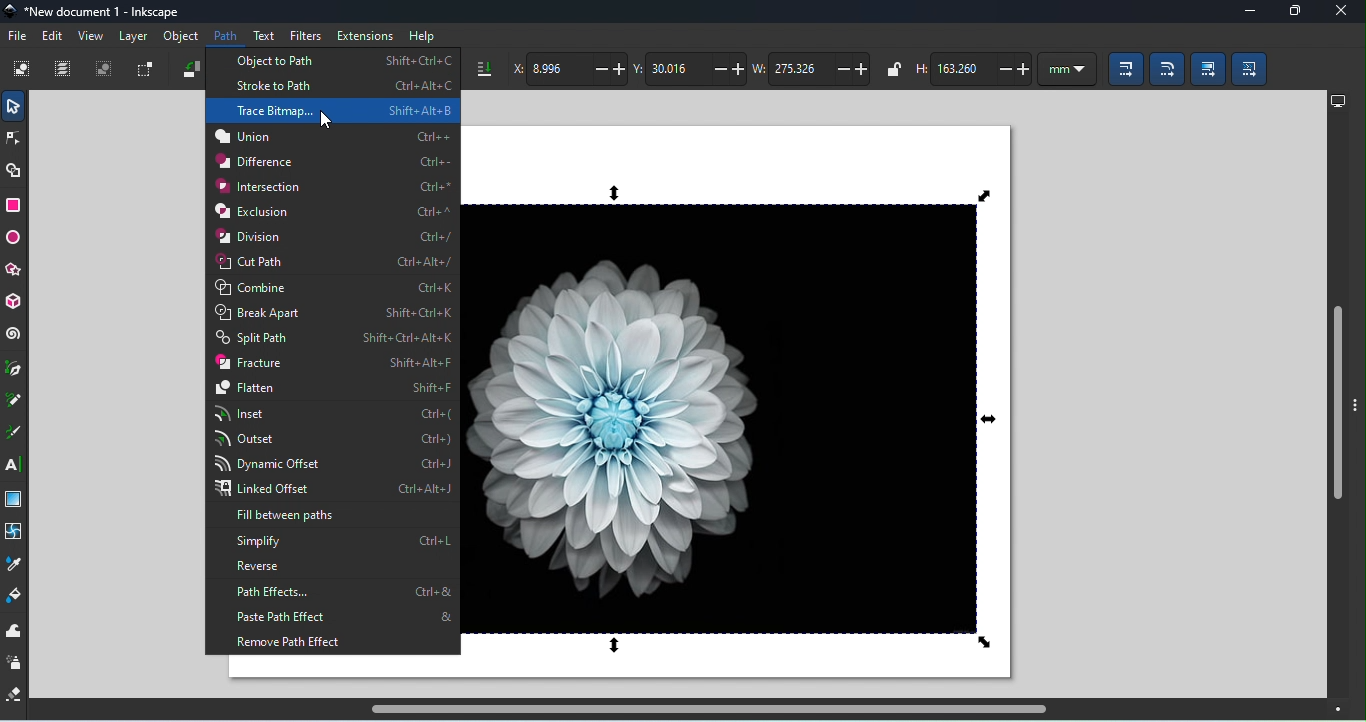 Image resolution: width=1366 pixels, height=722 pixels. Describe the element at coordinates (1167, 70) in the screenshot. I see `When scaling rectangles, scale the radii of the rounded corners` at that location.